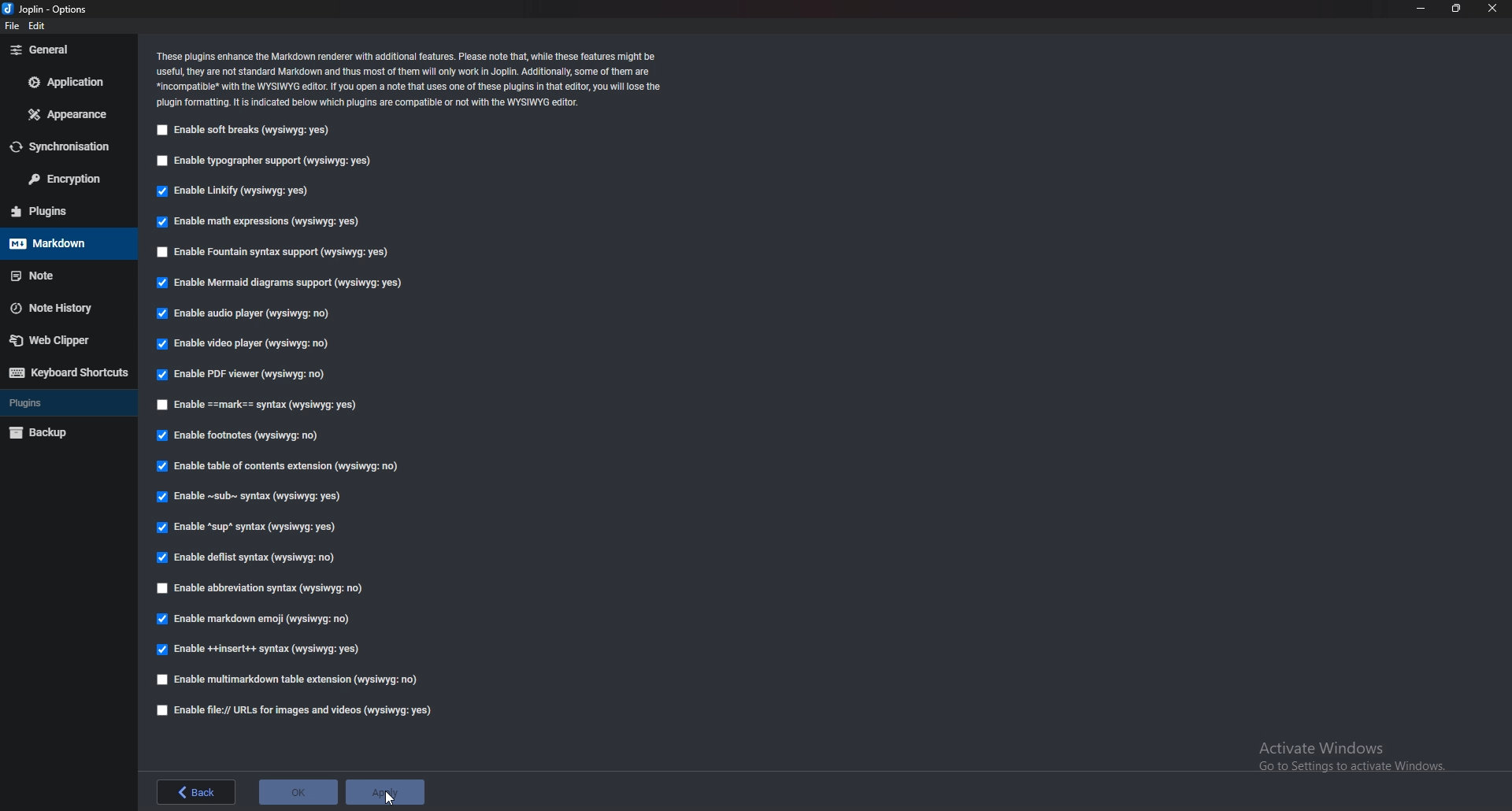  What do you see at coordinates (289, 710) in the screenshot?
I see `enable file urls for images and videos` at bounding box center [289, 710].